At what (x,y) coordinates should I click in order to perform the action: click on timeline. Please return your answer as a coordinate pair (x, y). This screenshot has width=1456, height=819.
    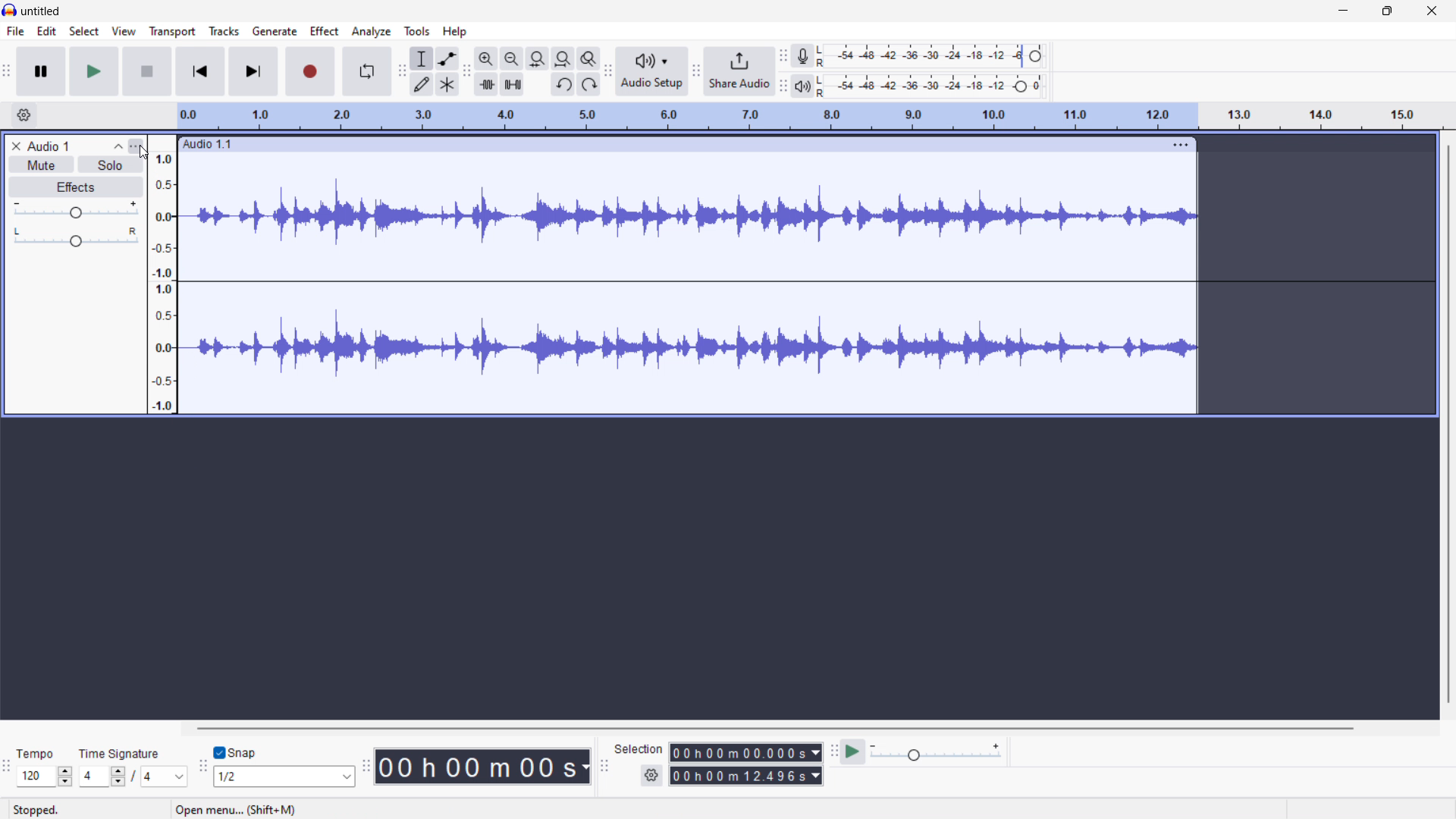
    Looking at the image, I should click on (810, 117).